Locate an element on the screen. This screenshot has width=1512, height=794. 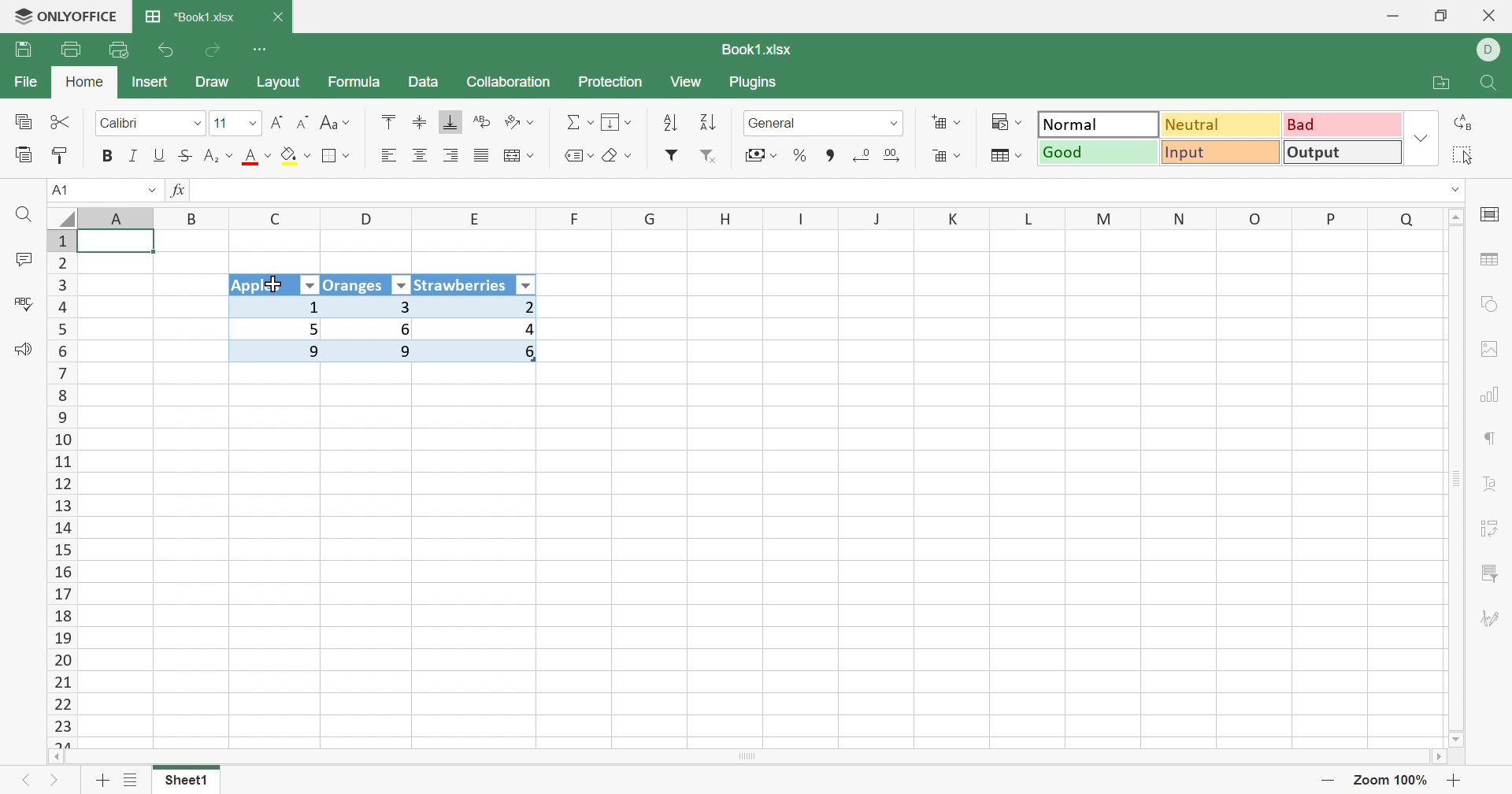
fx is located at coordinates (179, 191).